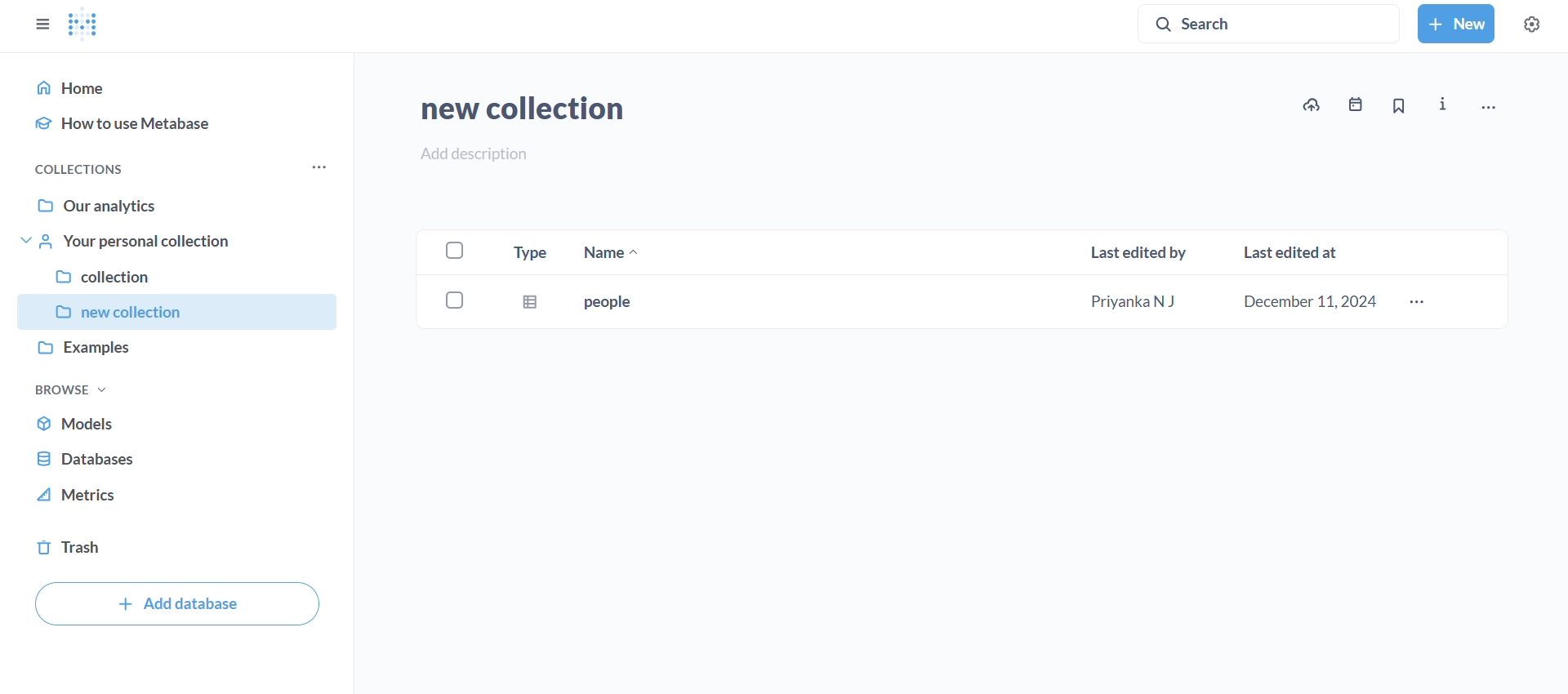  What do you see at coordinates (518, 107) in the screenshot?
I see `new collection` at bounding box center [518, 107].